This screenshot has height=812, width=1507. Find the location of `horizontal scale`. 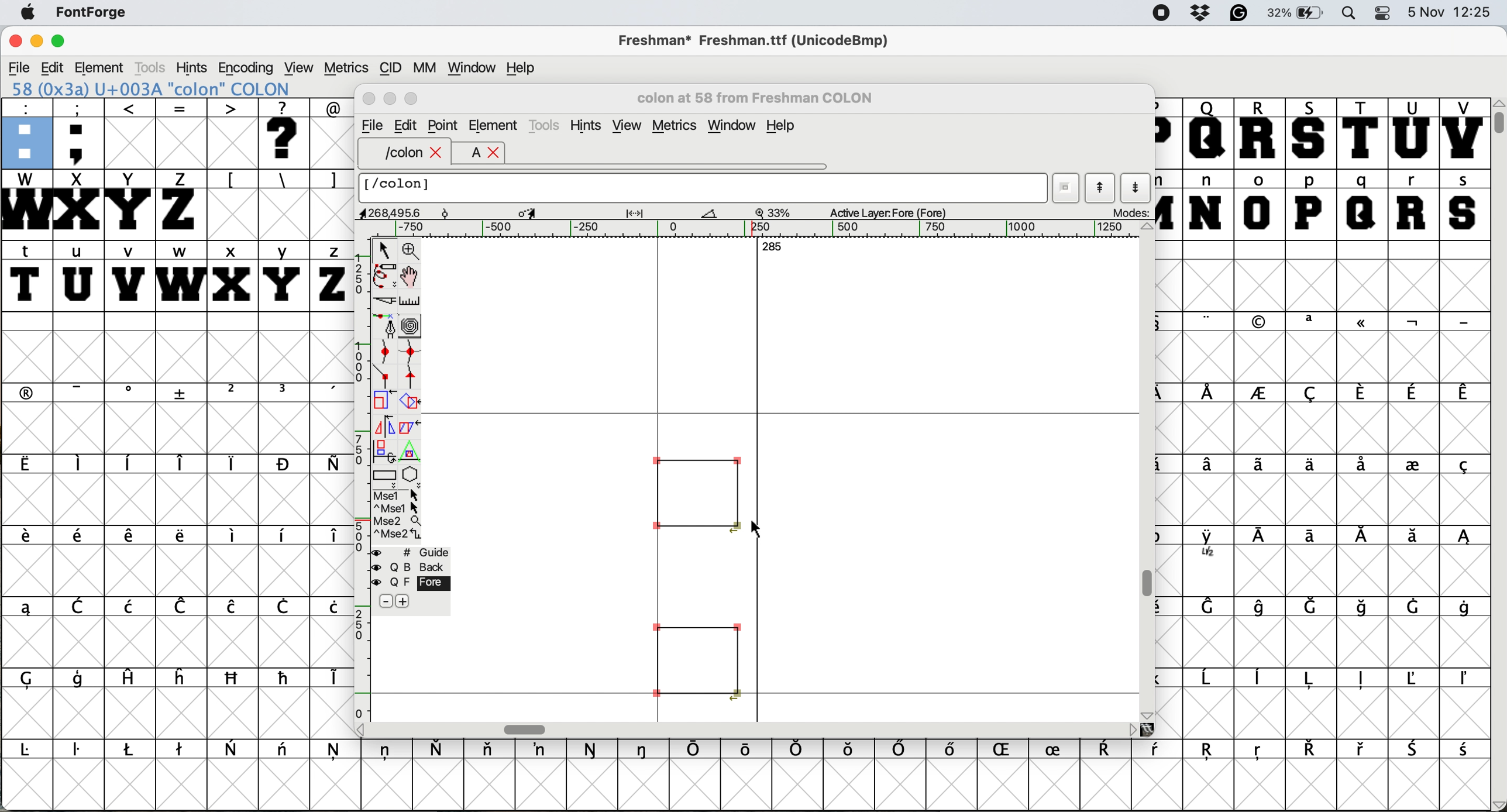

horizontal scale is located at coordinates (761, 229).